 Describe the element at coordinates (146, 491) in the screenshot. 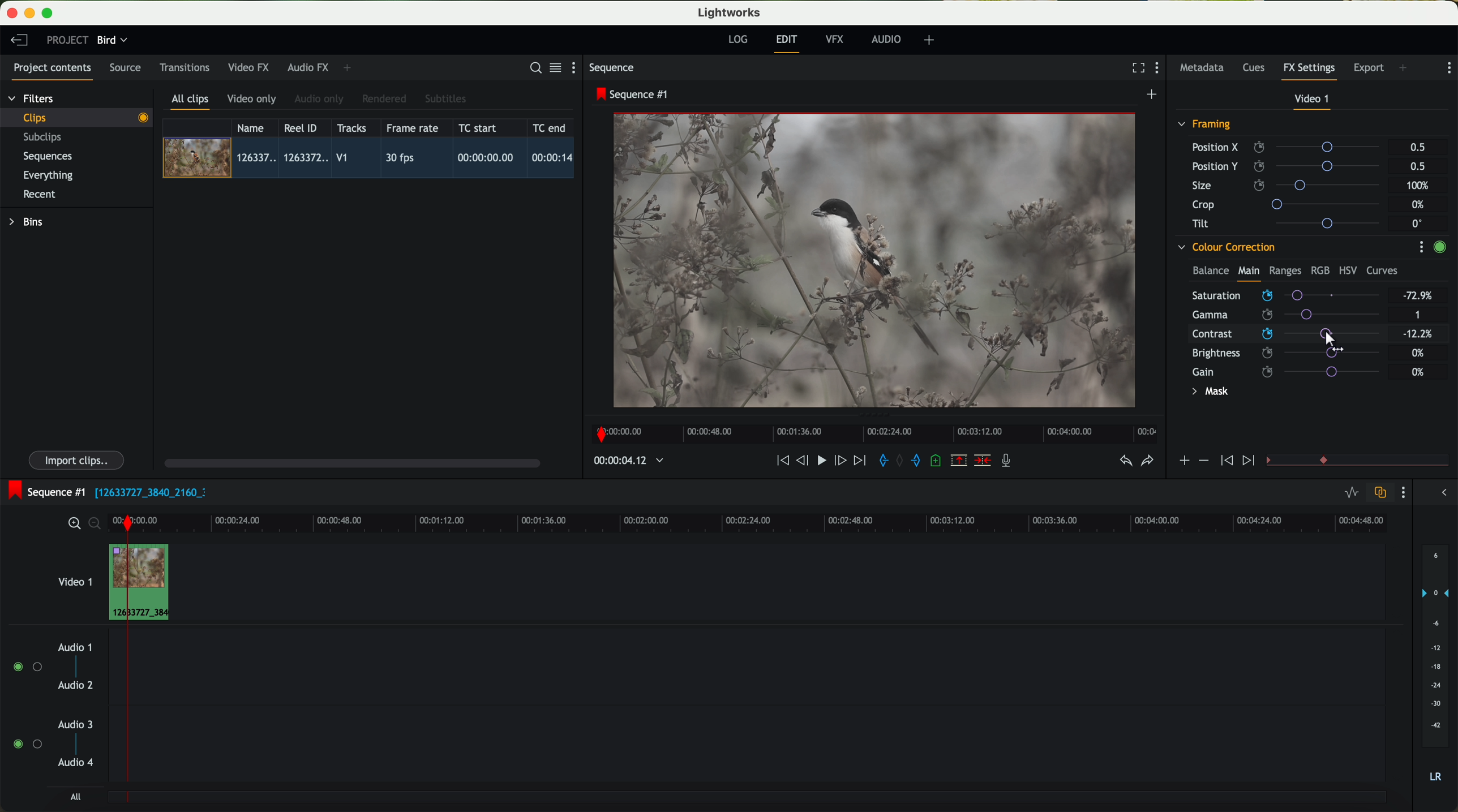

I see `black` at that location.